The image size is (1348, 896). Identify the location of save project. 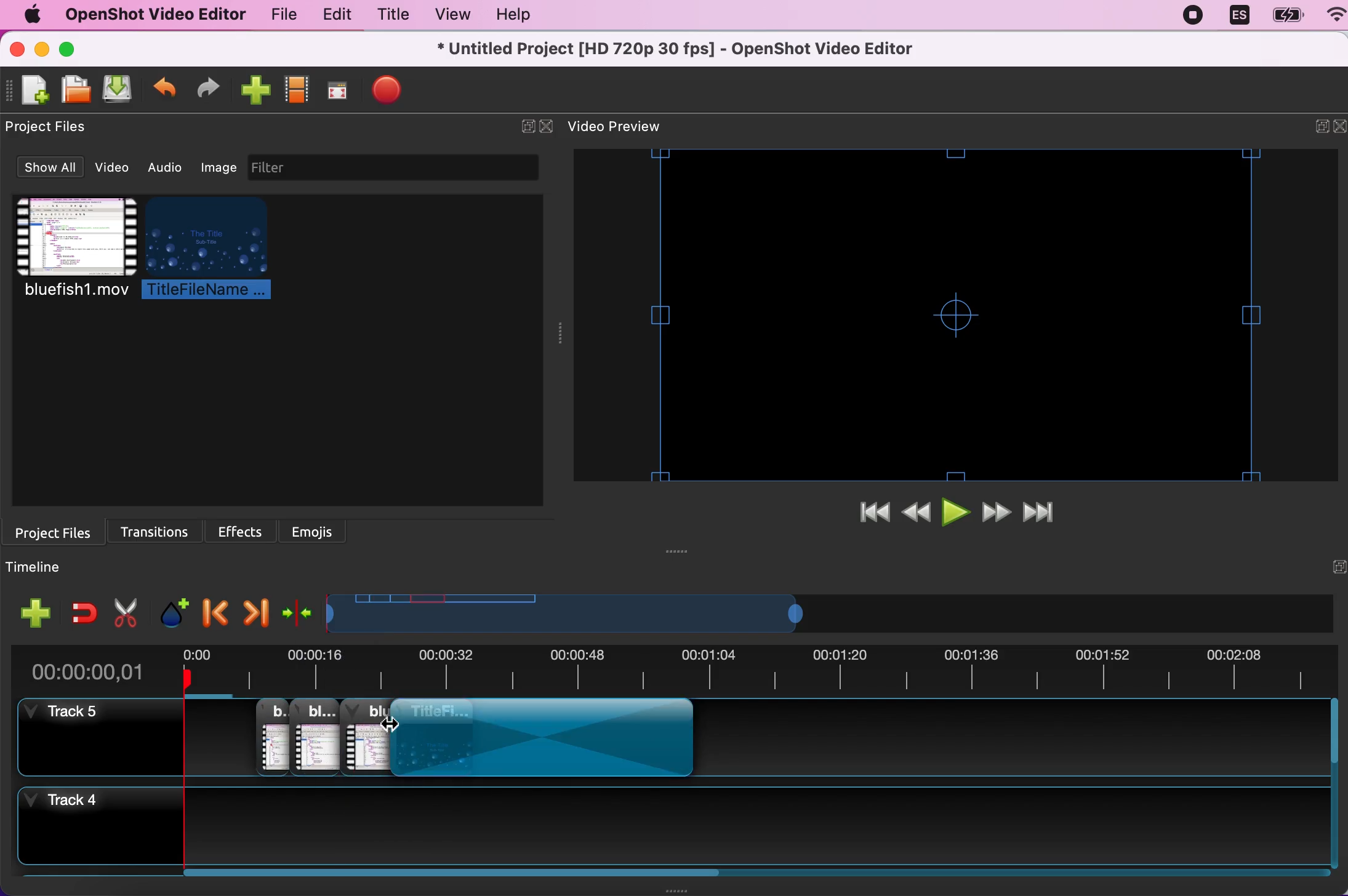
(116, 90).